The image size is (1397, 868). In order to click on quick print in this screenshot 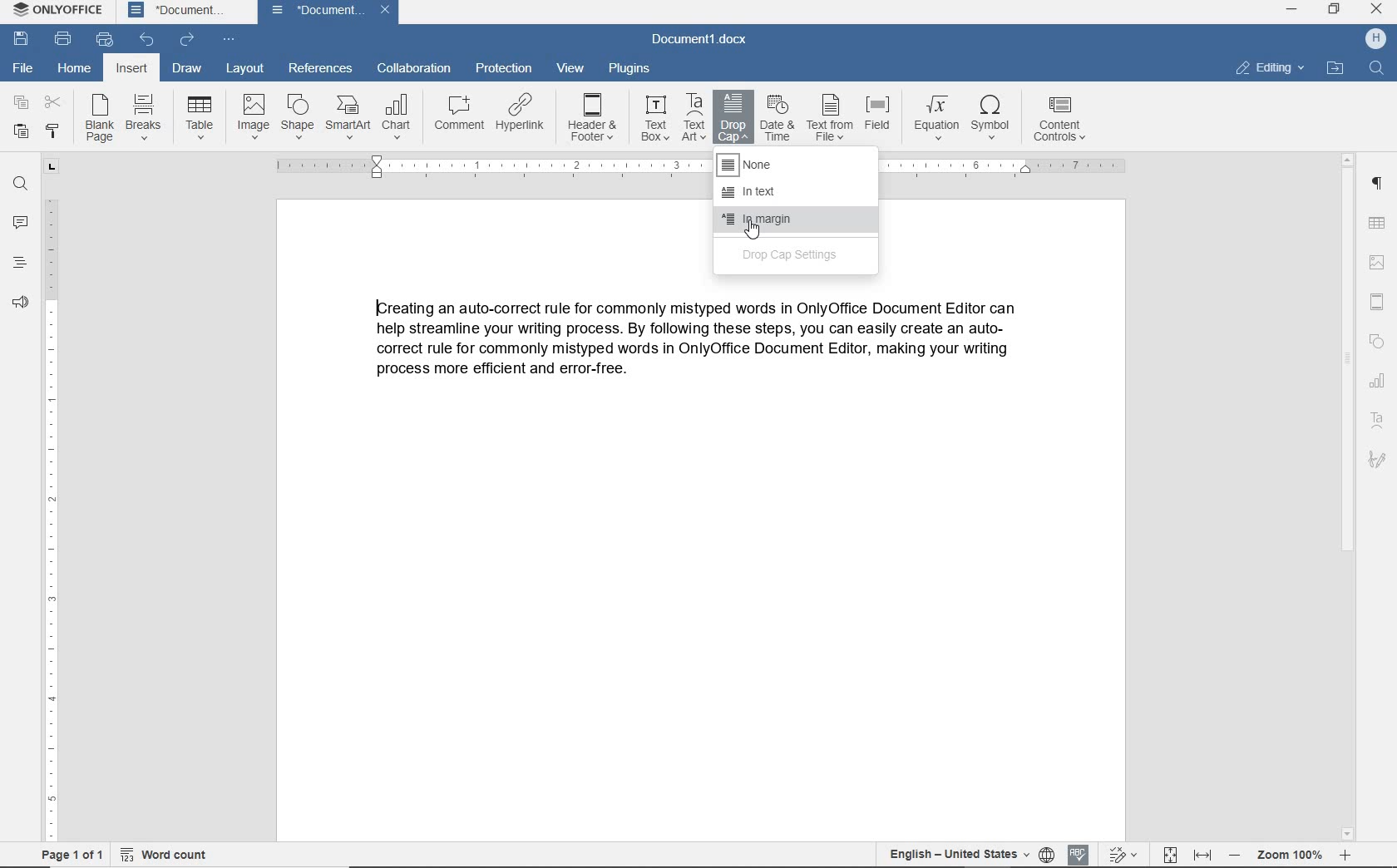, I will do `click(105, 39)`.